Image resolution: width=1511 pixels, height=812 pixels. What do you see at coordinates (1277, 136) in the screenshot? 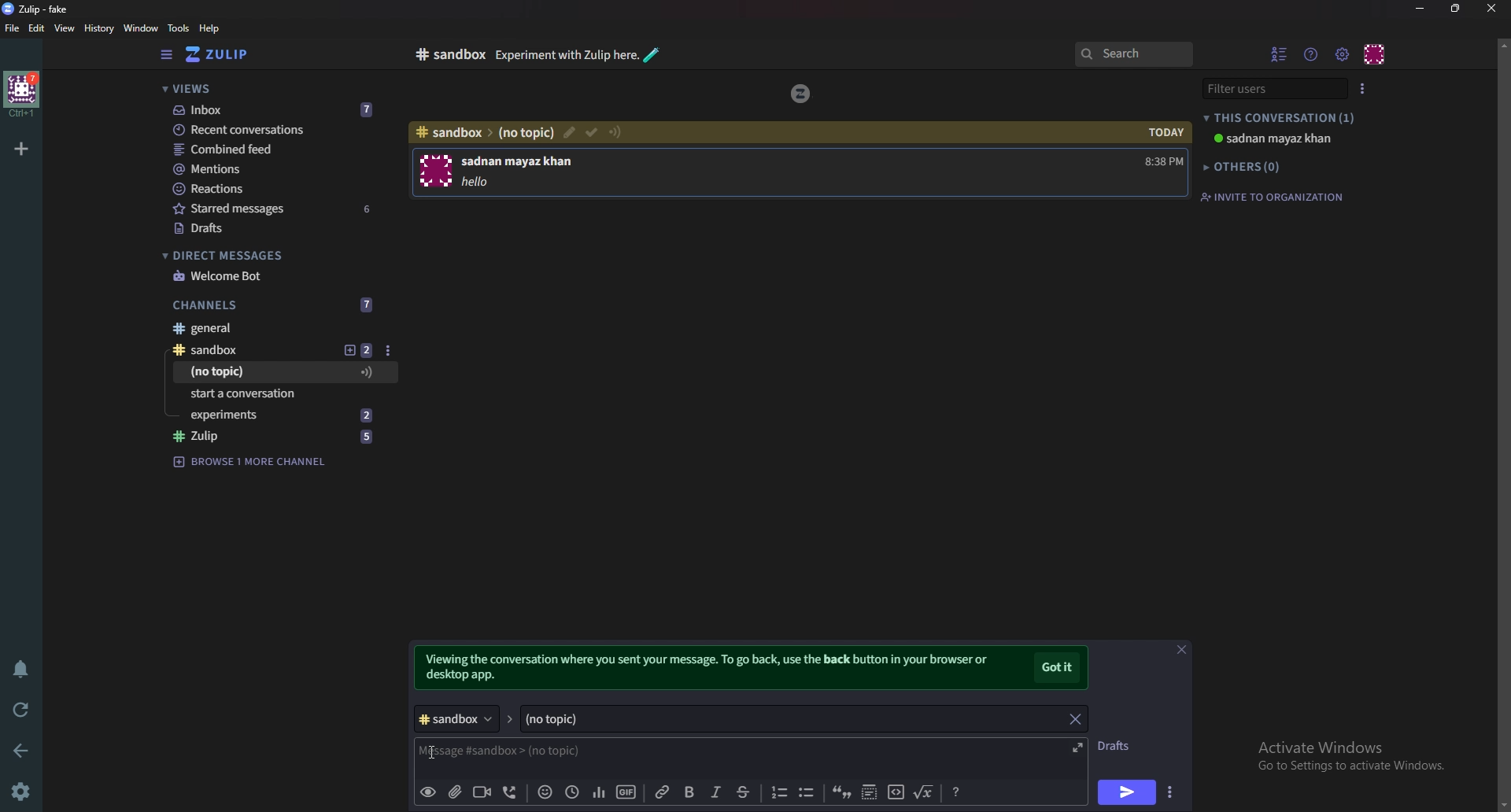
I see `sadnan mayaz khan` at bounding box center [1277, 136].